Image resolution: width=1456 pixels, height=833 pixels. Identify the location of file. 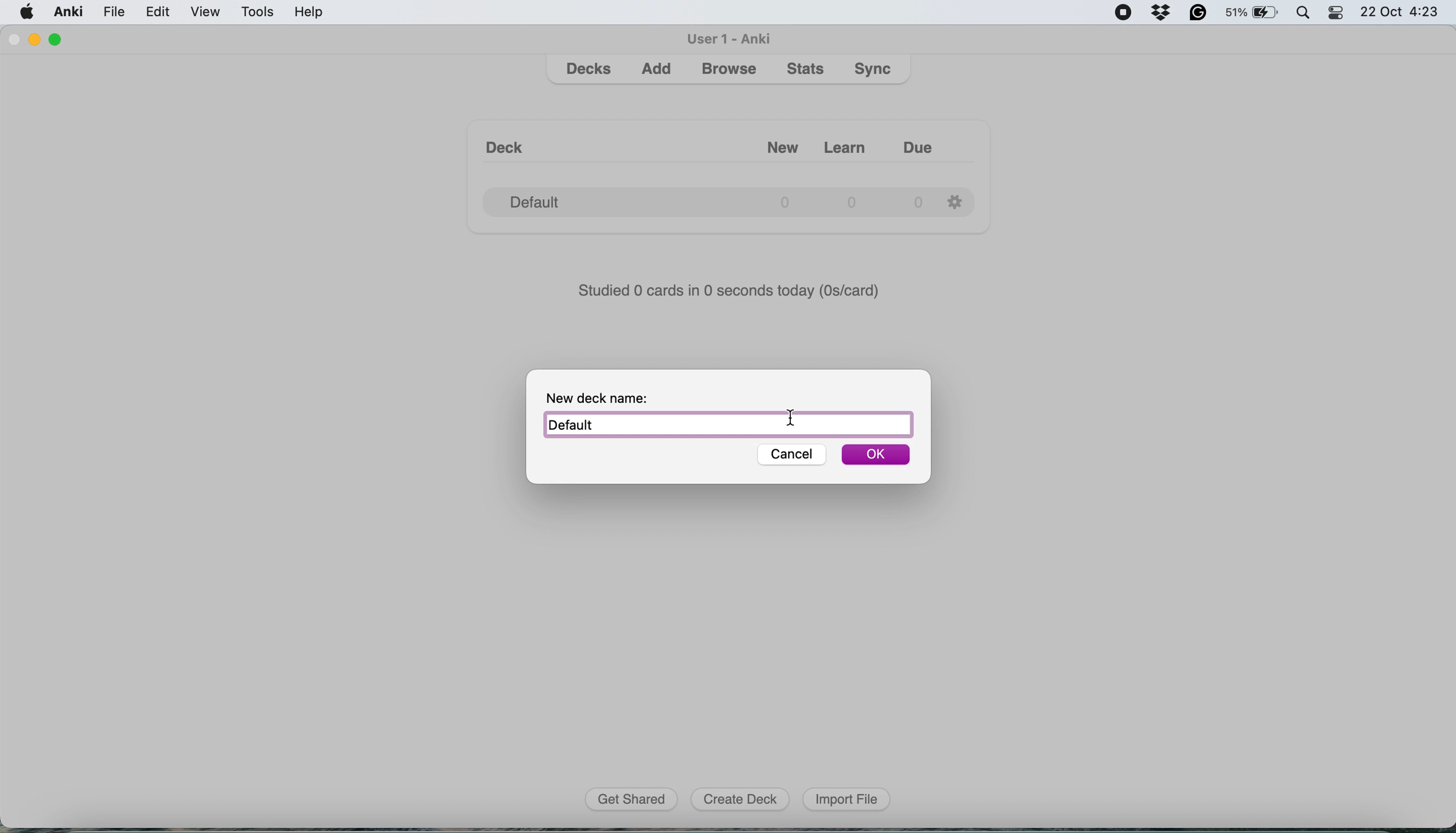
(113, 12).